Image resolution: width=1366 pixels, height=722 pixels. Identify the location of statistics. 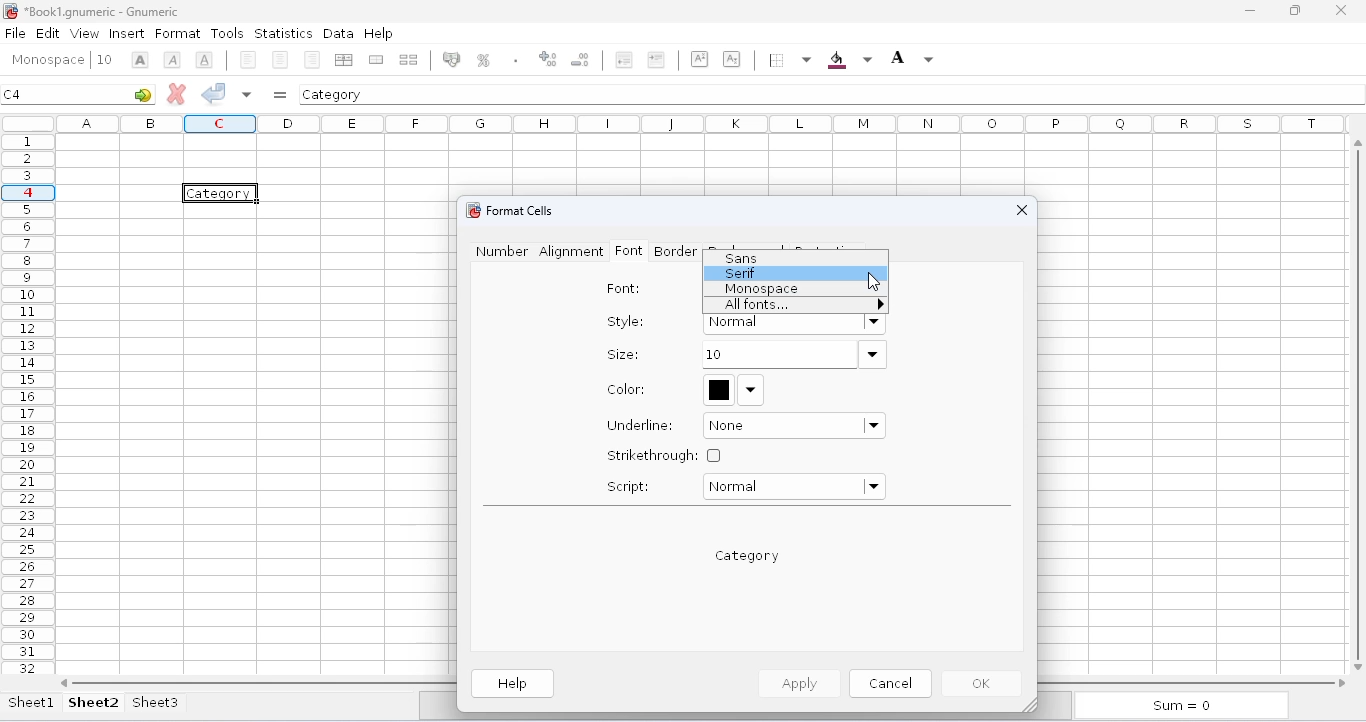
(283, 34).